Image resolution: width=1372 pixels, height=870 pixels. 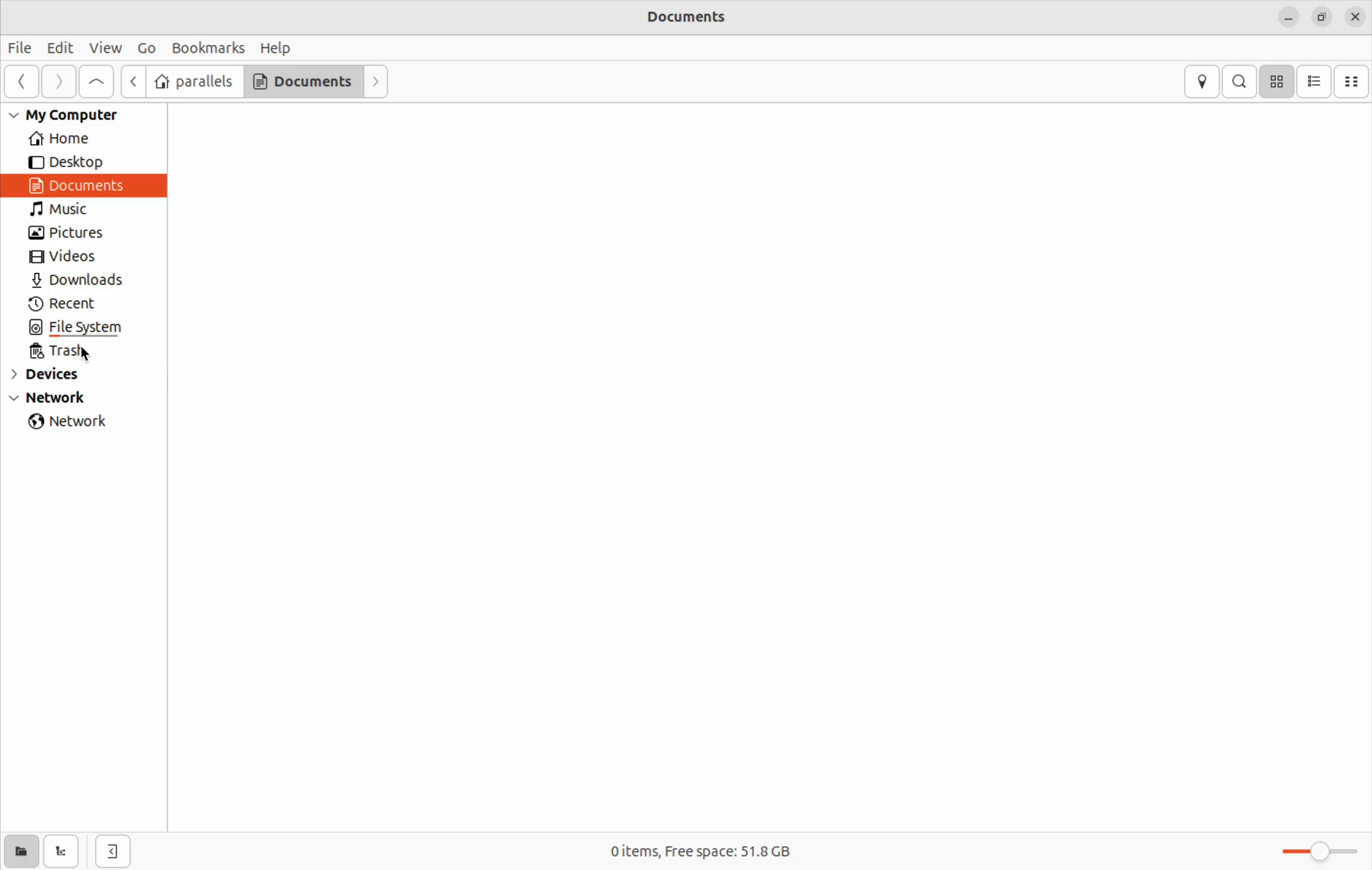 What do you see at coordinates (72, 234) in the screenshot?
I see `pictures` at bounding box center [72, 234].